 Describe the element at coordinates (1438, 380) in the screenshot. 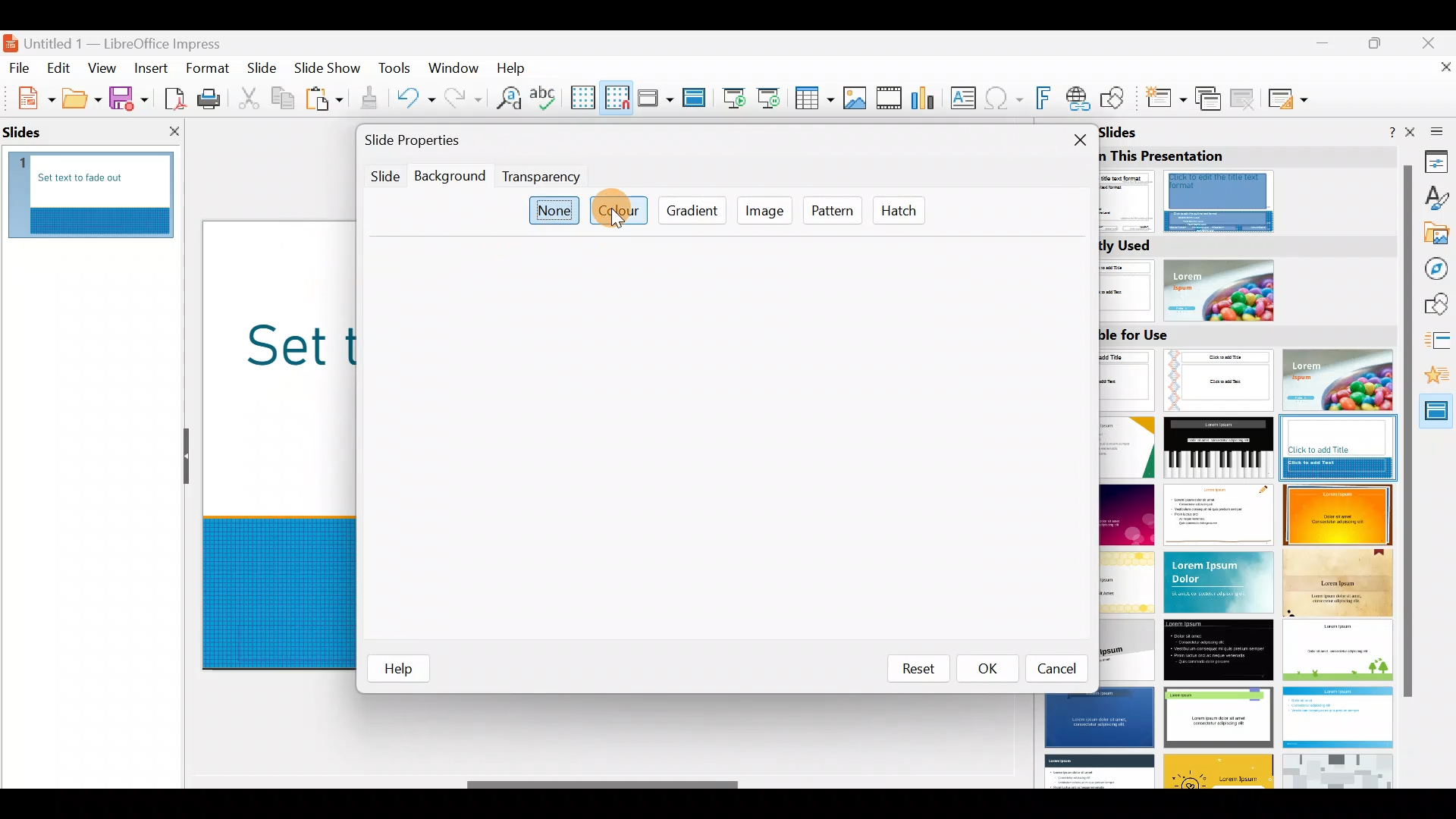

I see `Animation` at that location.